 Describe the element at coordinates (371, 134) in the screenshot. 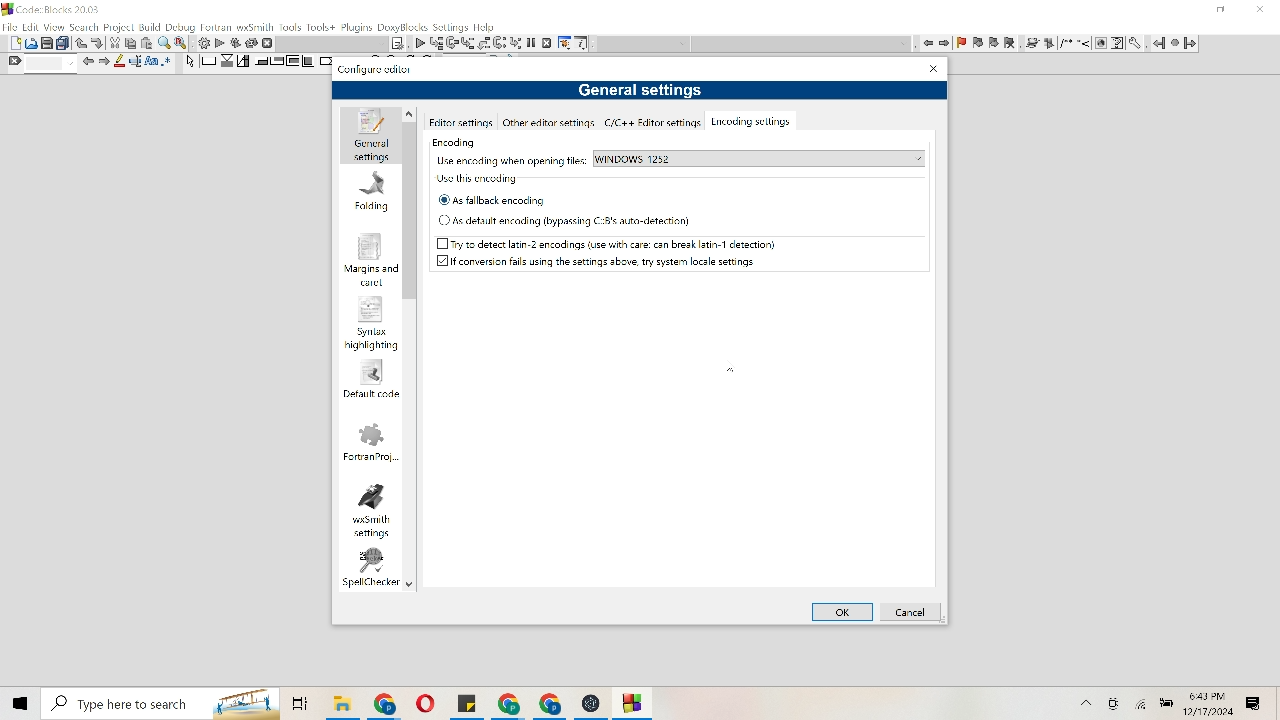

I see `General settings` at that location.